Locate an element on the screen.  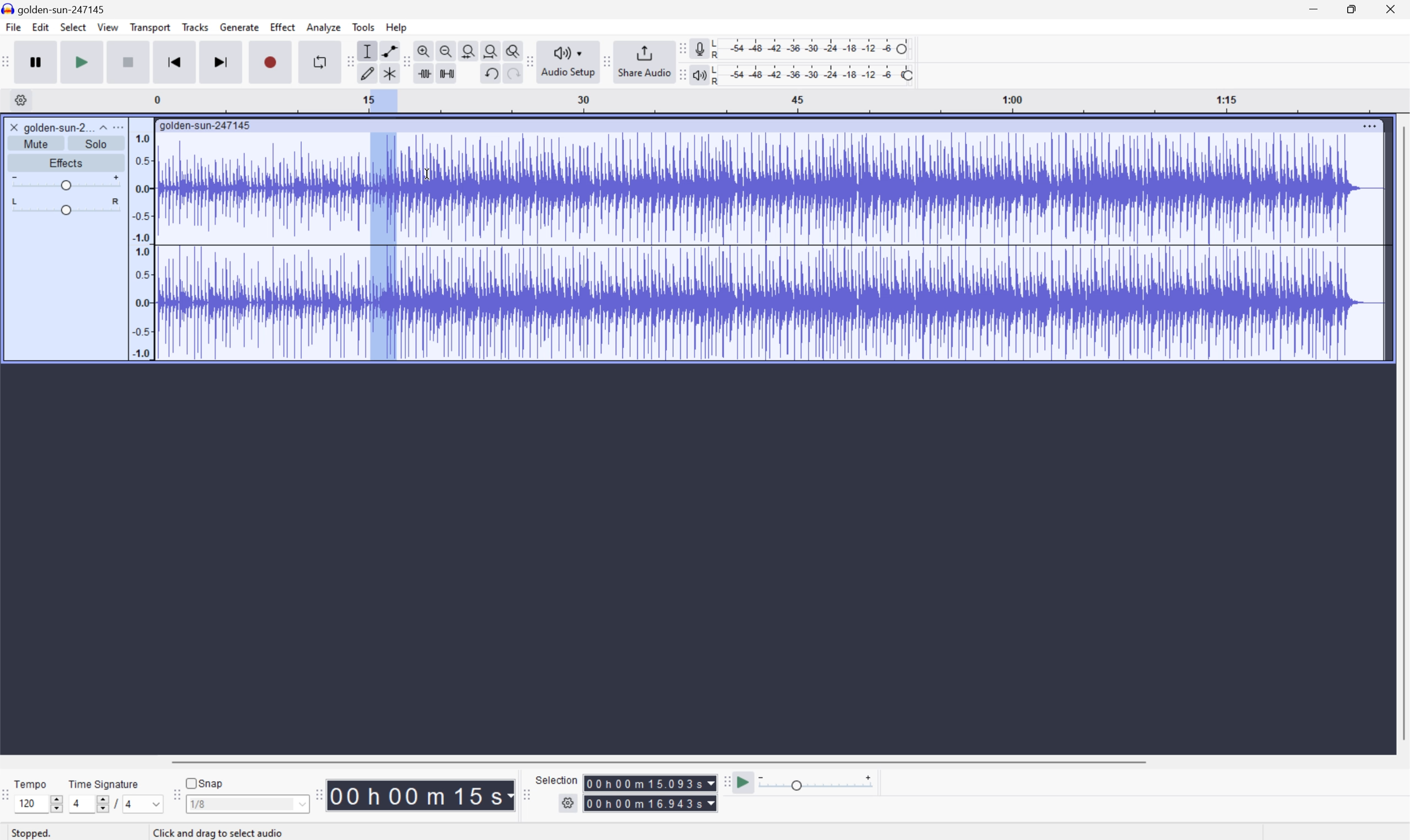
Drop Down is located at coordinates (152, 804).